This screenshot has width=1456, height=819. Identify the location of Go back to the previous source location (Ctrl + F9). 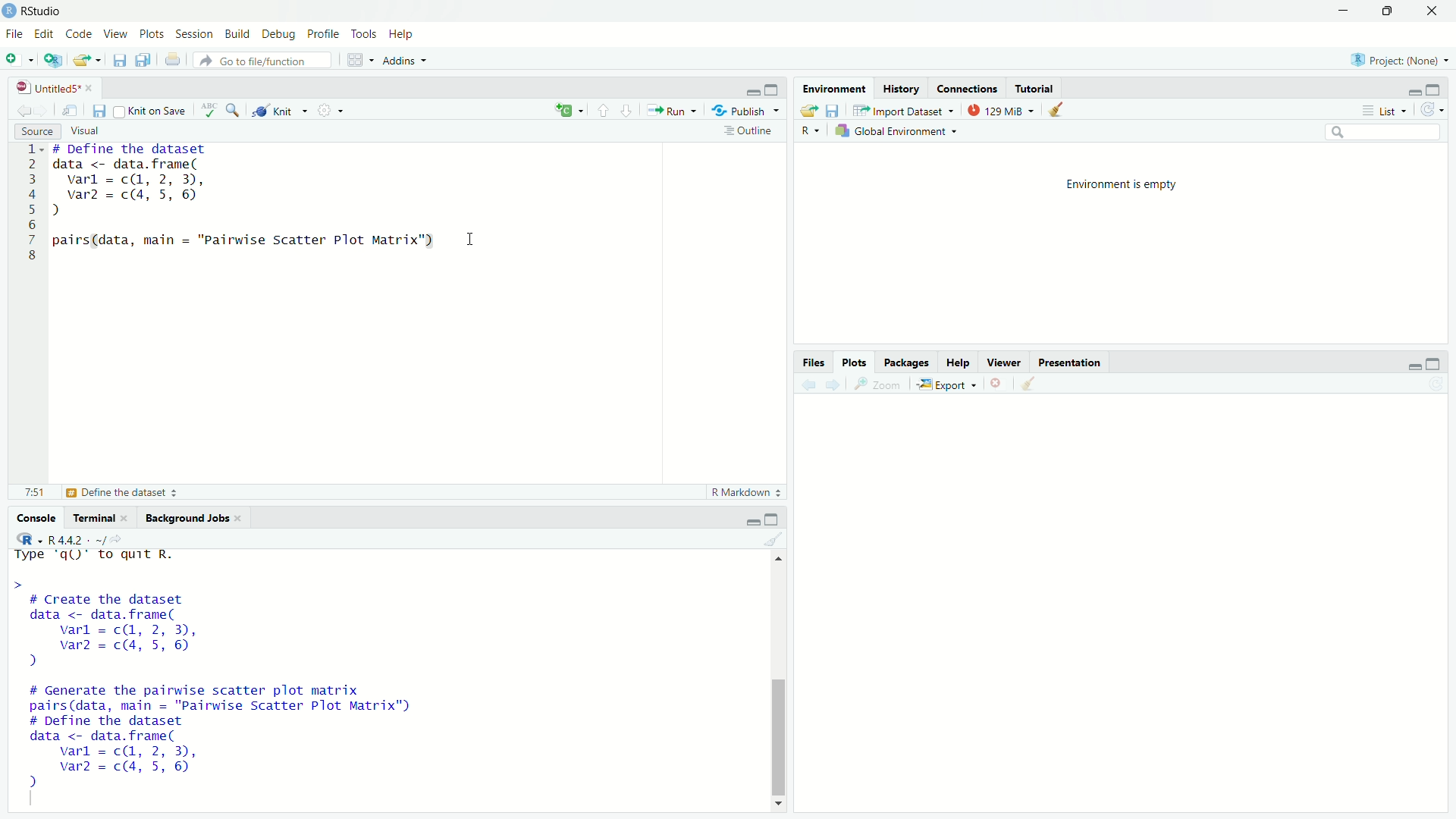
(805, 383).